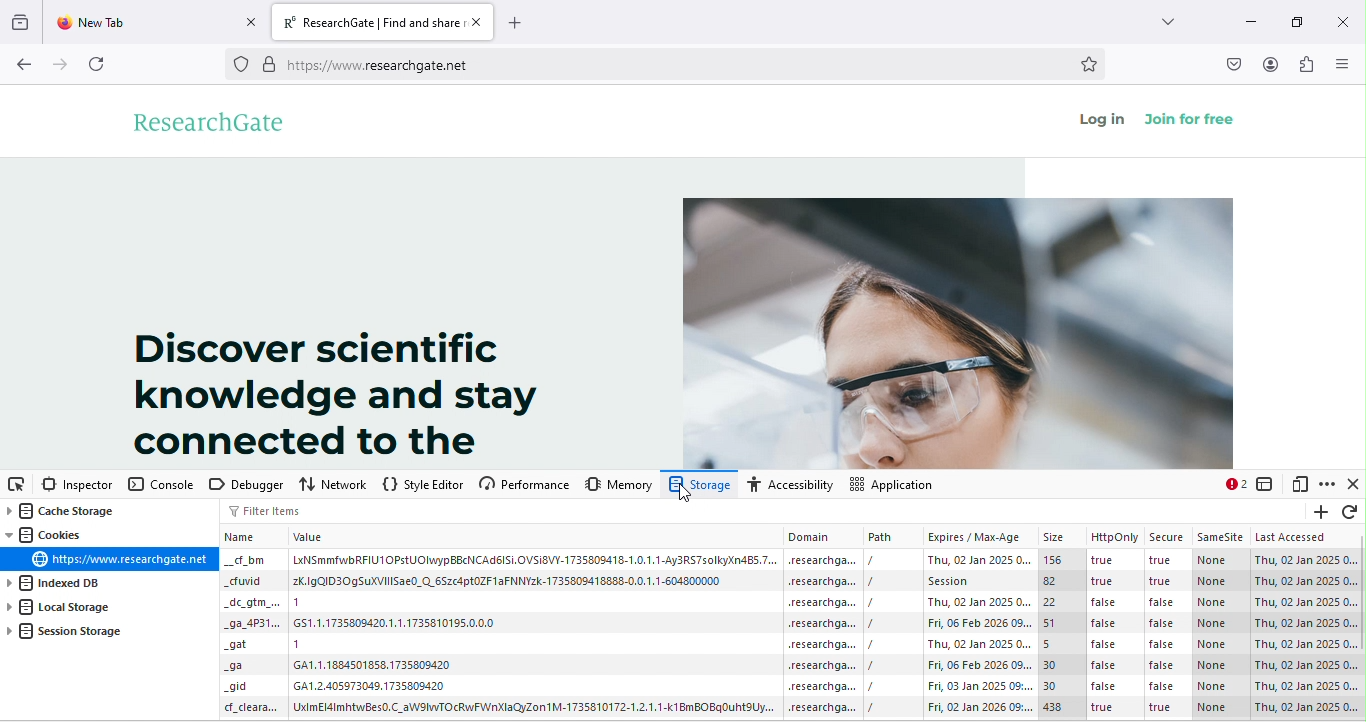 The height and width of the screenshot is (722, 1366). Describe the element at coordinates (1106, 582) in the screenshot. I see `true` at that location.